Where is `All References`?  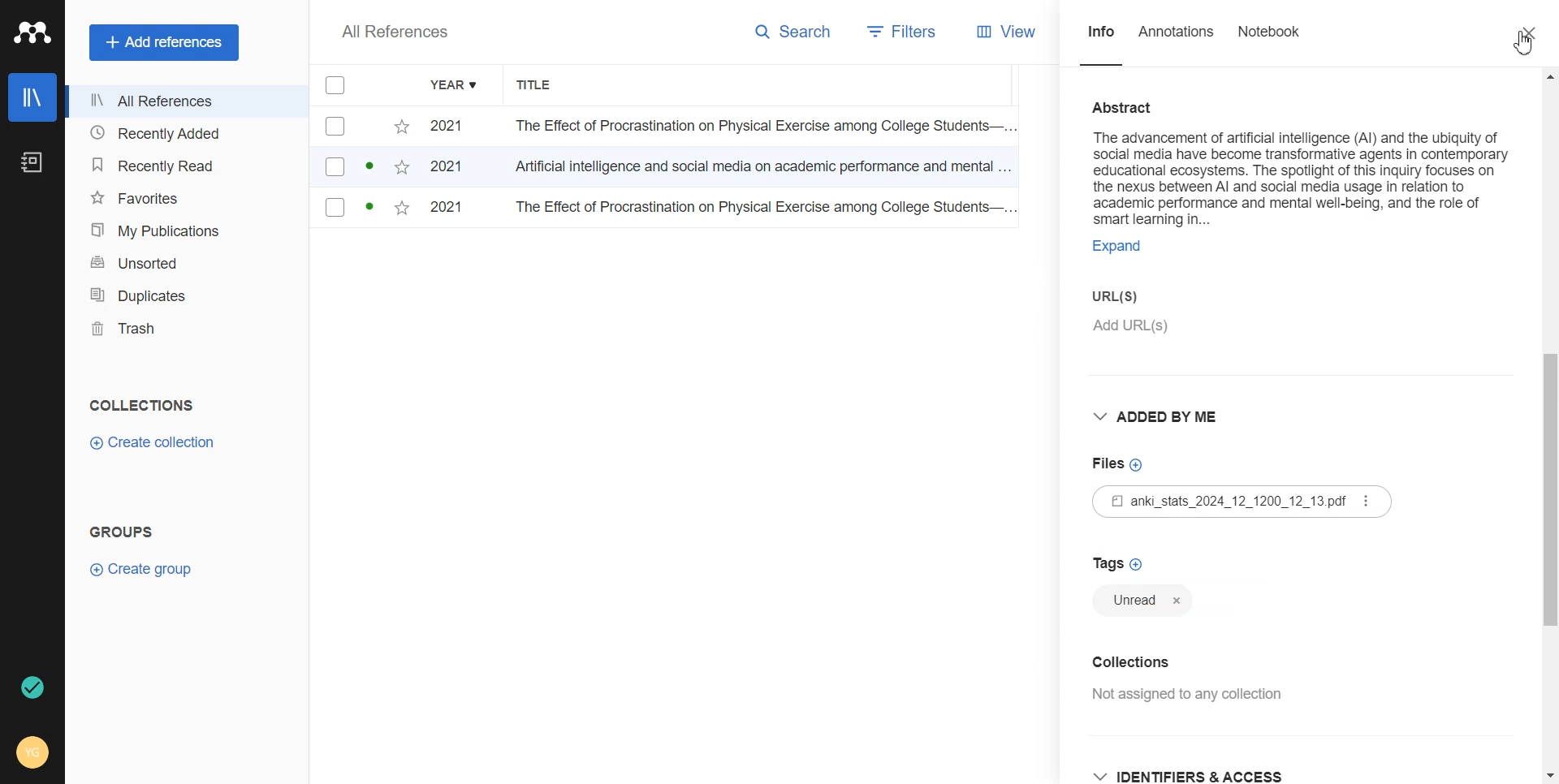
All References is located at coordinates (186, 103).